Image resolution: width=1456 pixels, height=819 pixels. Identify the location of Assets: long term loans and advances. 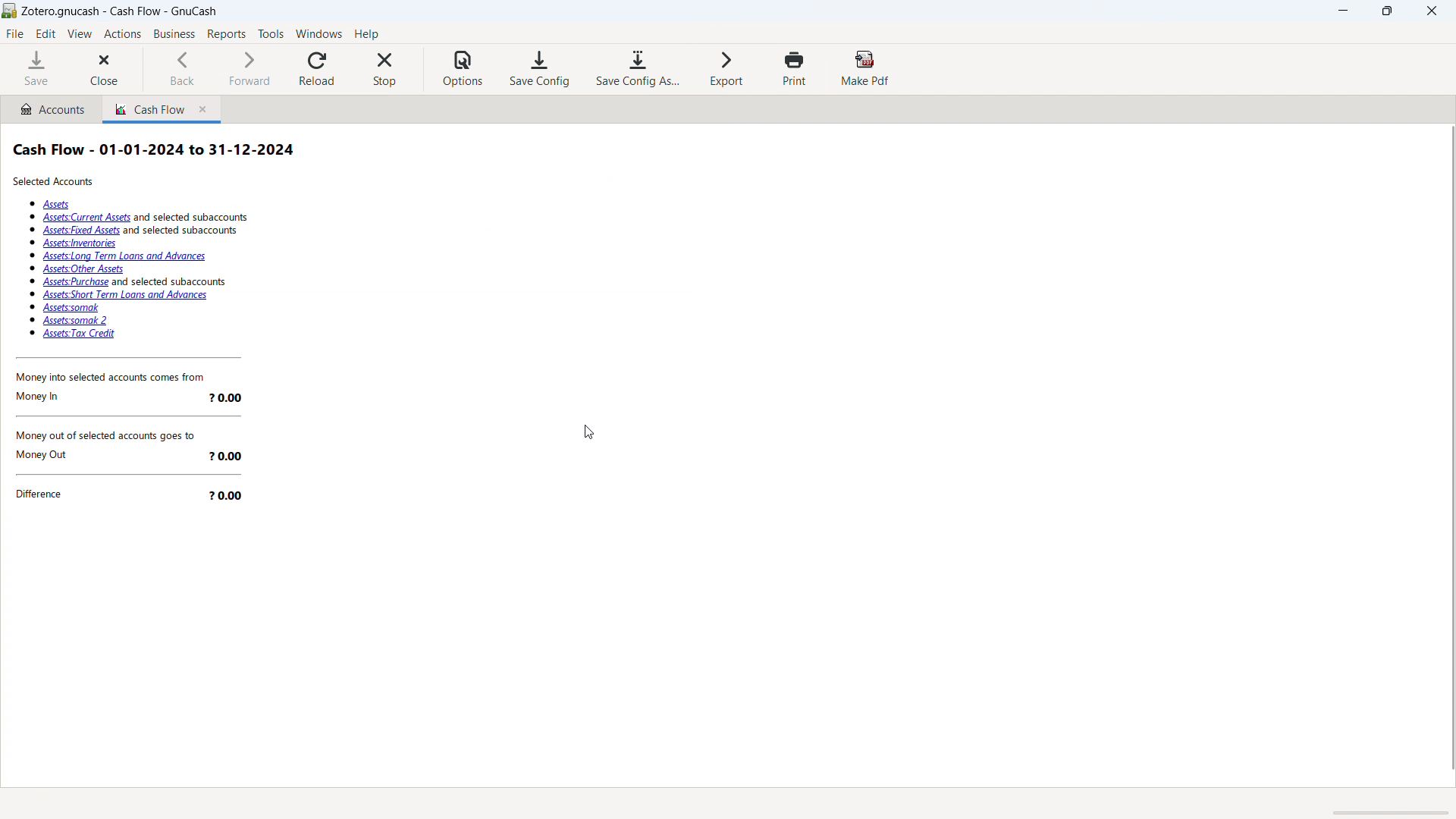
(127, 256).